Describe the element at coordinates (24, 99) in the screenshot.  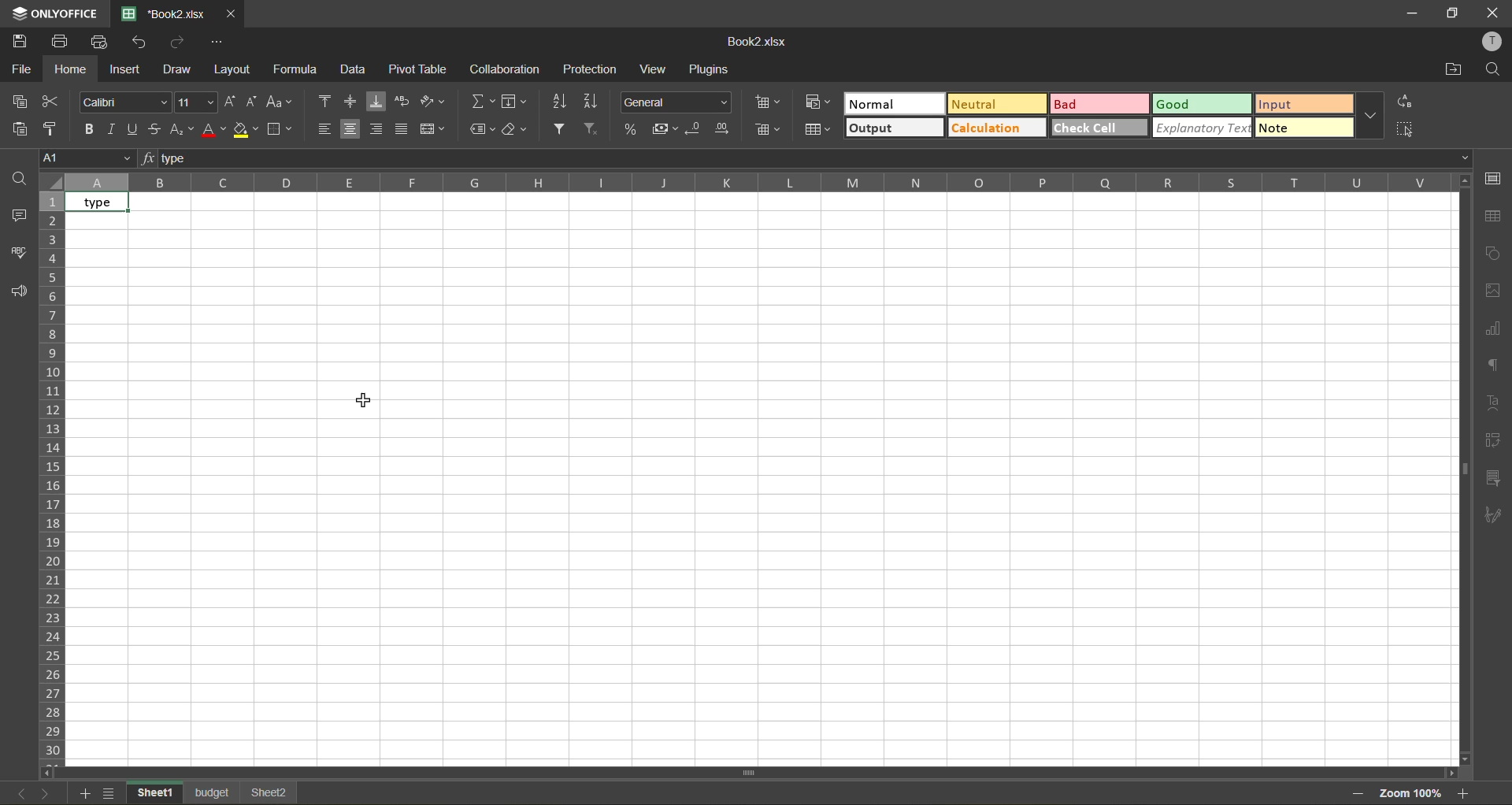
I see `copy` at that location.